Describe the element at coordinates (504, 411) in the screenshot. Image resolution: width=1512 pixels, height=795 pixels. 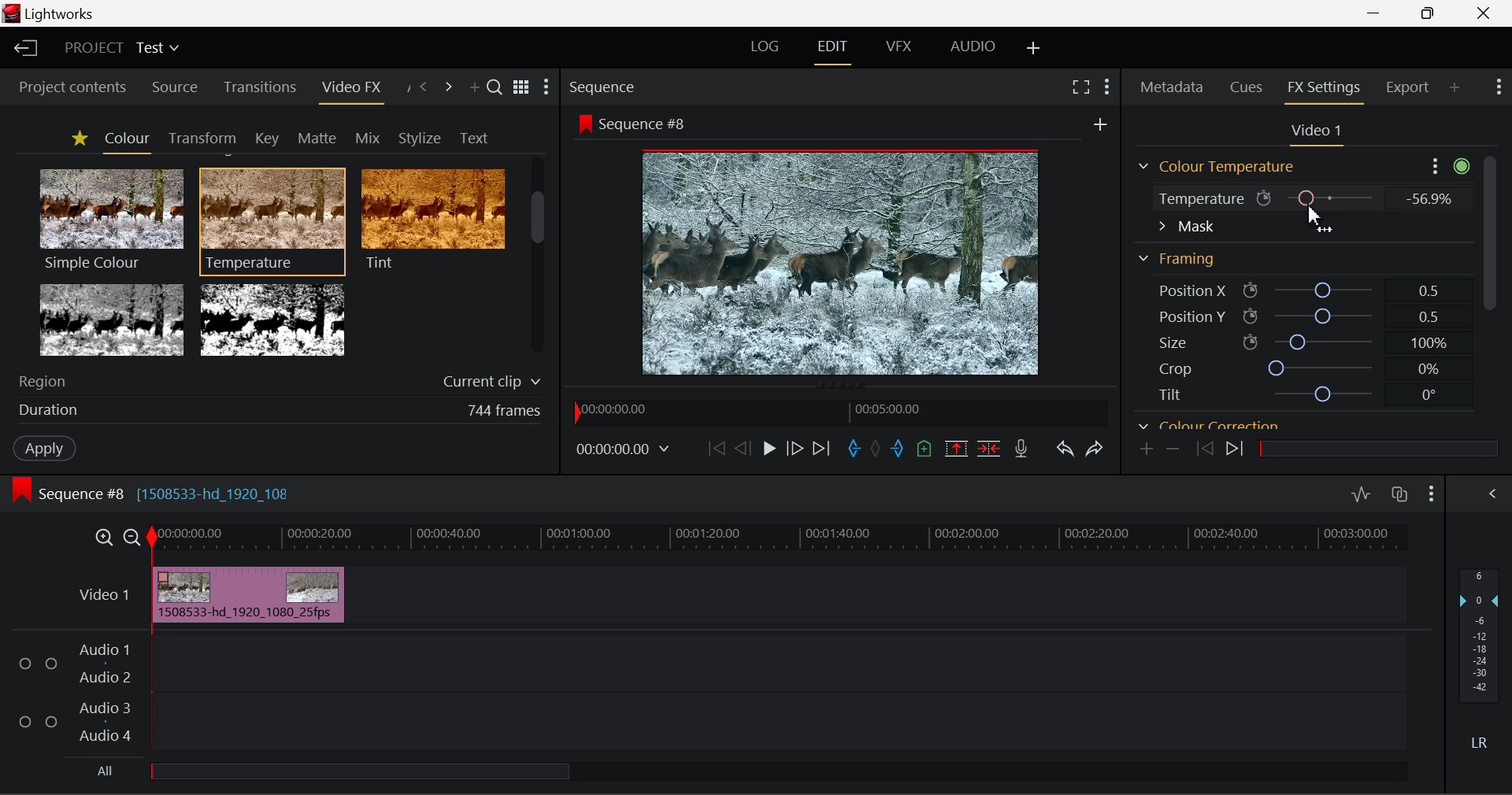
I see `744 frames` at that location.